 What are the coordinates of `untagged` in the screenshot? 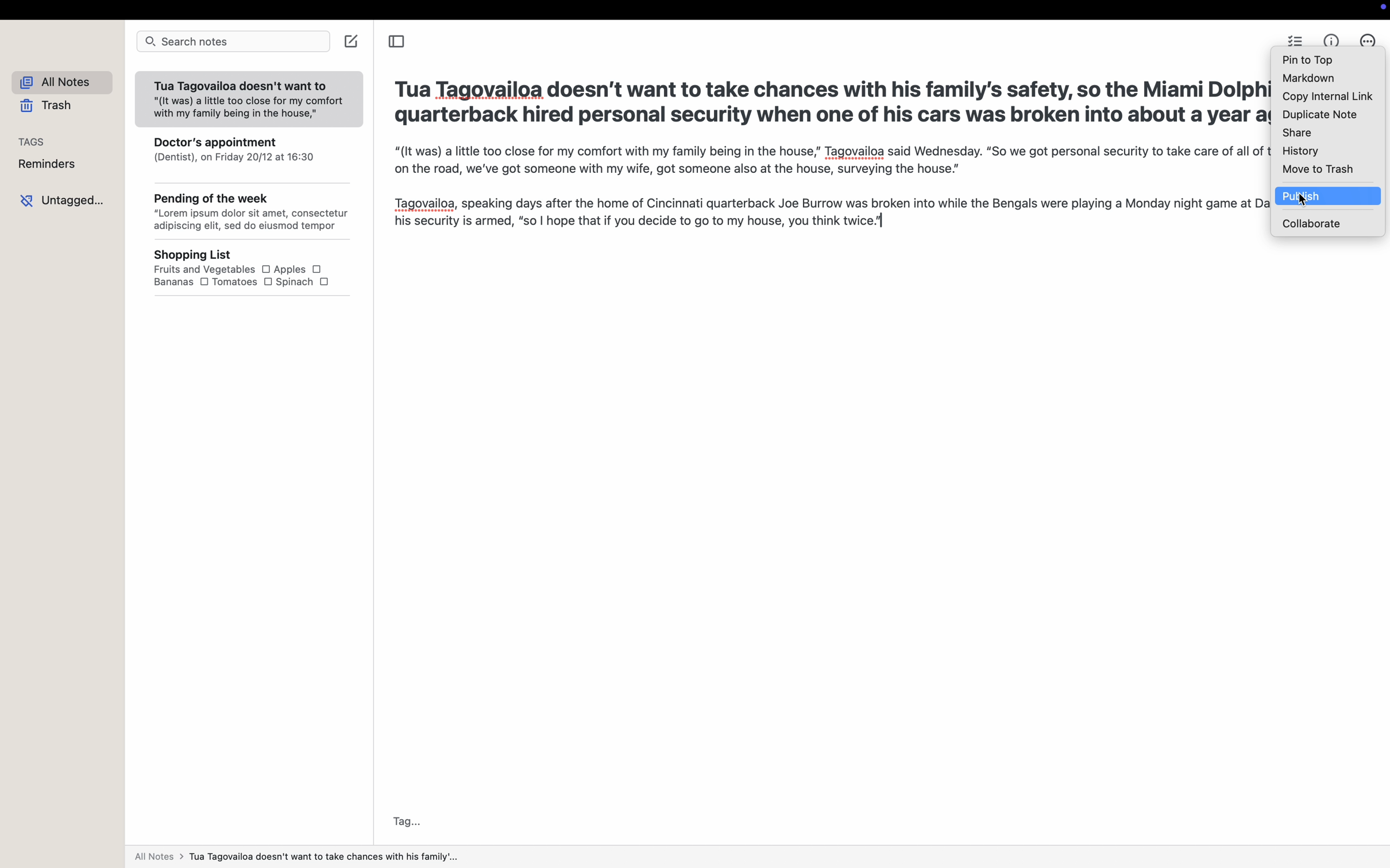 It's located at (65, 199).